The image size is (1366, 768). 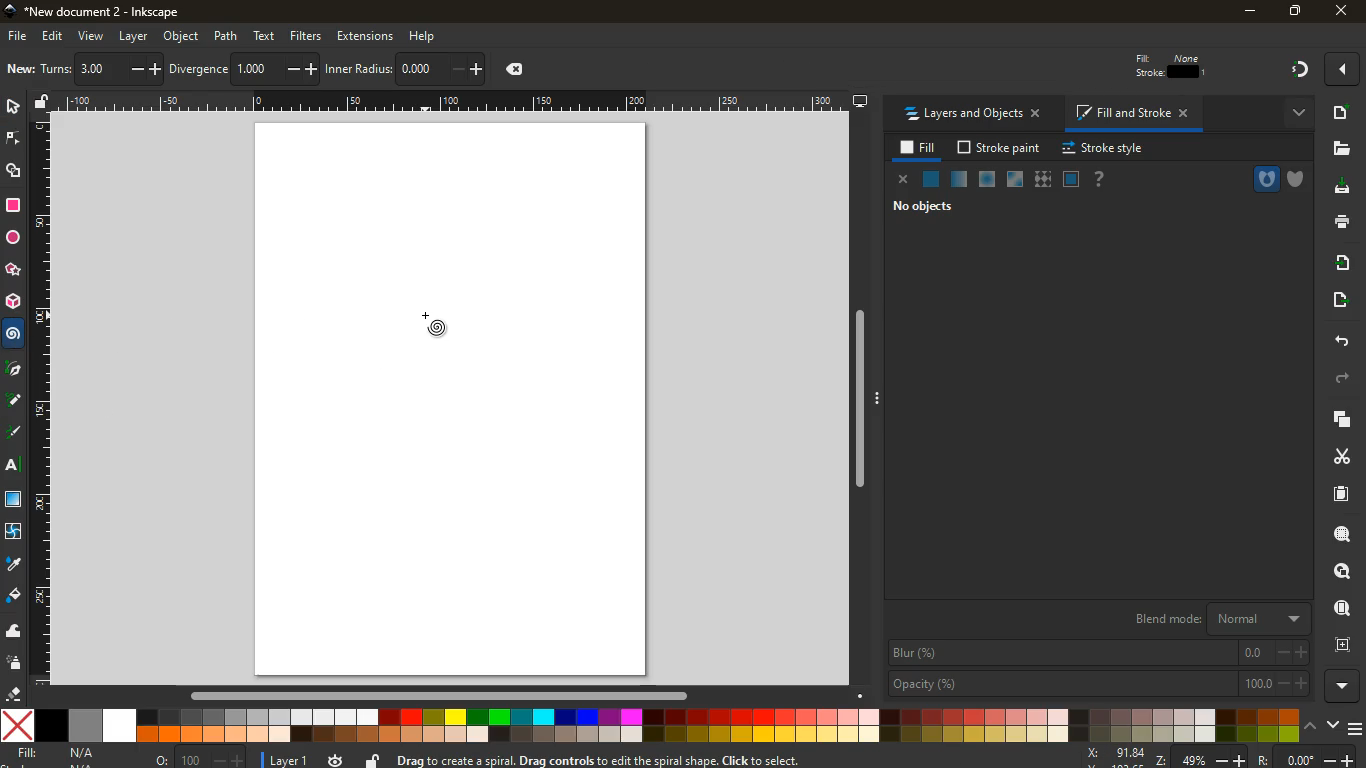 What do you see at coordinates (180, 36) in the screenshot?
I see `object` at bounding box center [180, 36].